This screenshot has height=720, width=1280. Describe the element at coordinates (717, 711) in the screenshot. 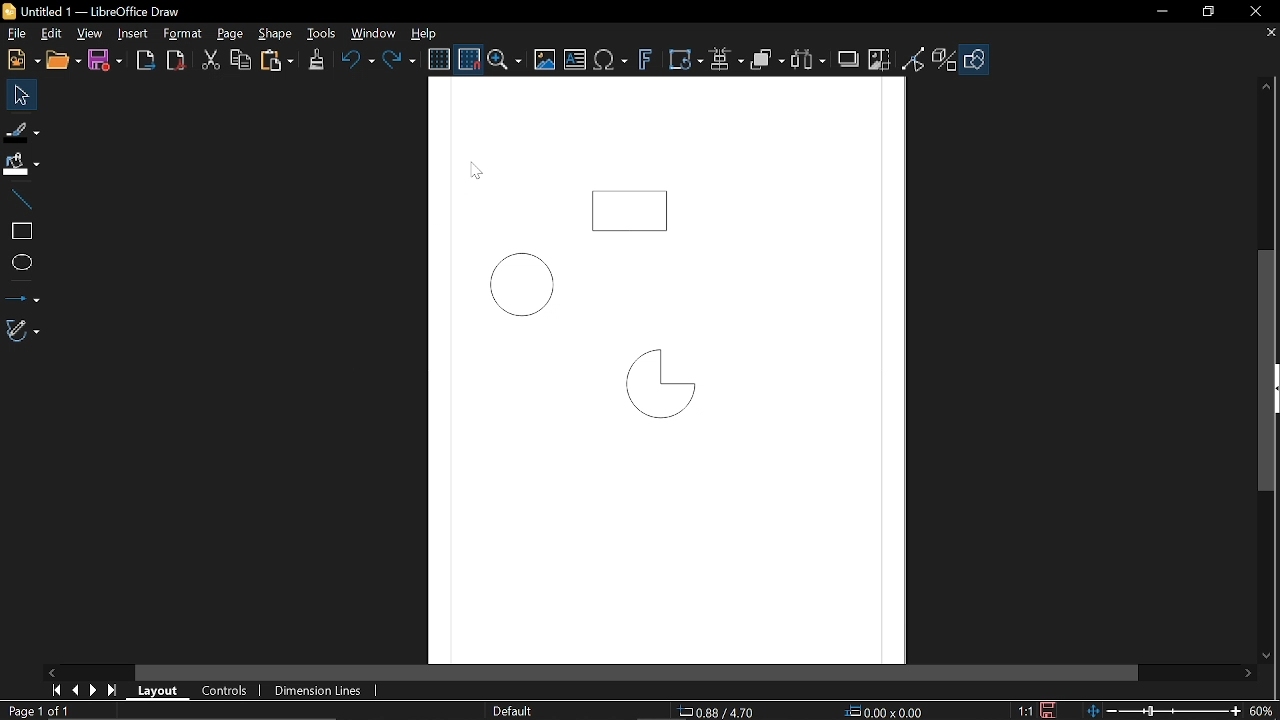

I see `0.88/ 4.70 (cursor position) ` at that location.